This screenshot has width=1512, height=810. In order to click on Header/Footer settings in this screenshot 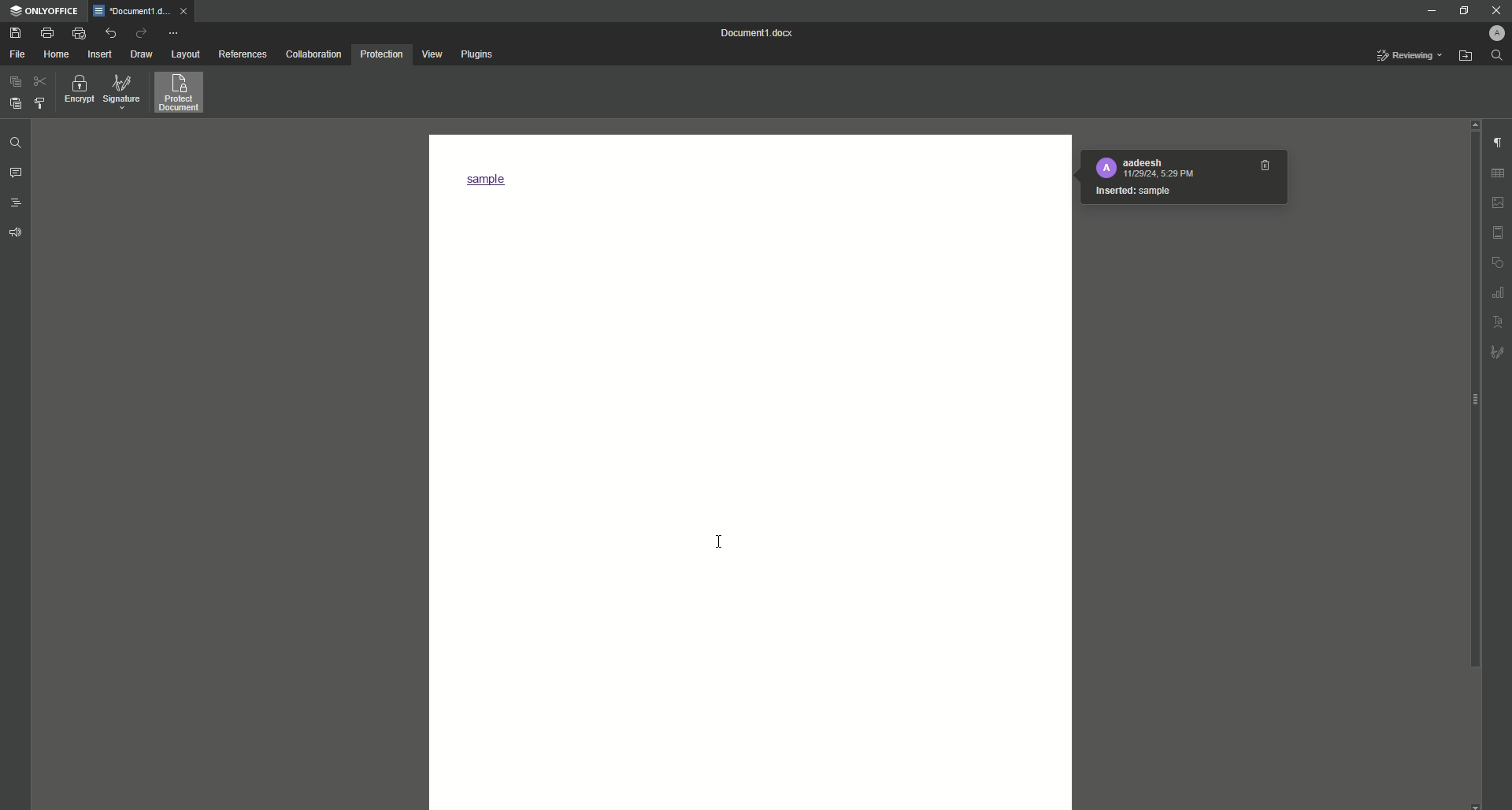, I will do `click(1499, 232)`.